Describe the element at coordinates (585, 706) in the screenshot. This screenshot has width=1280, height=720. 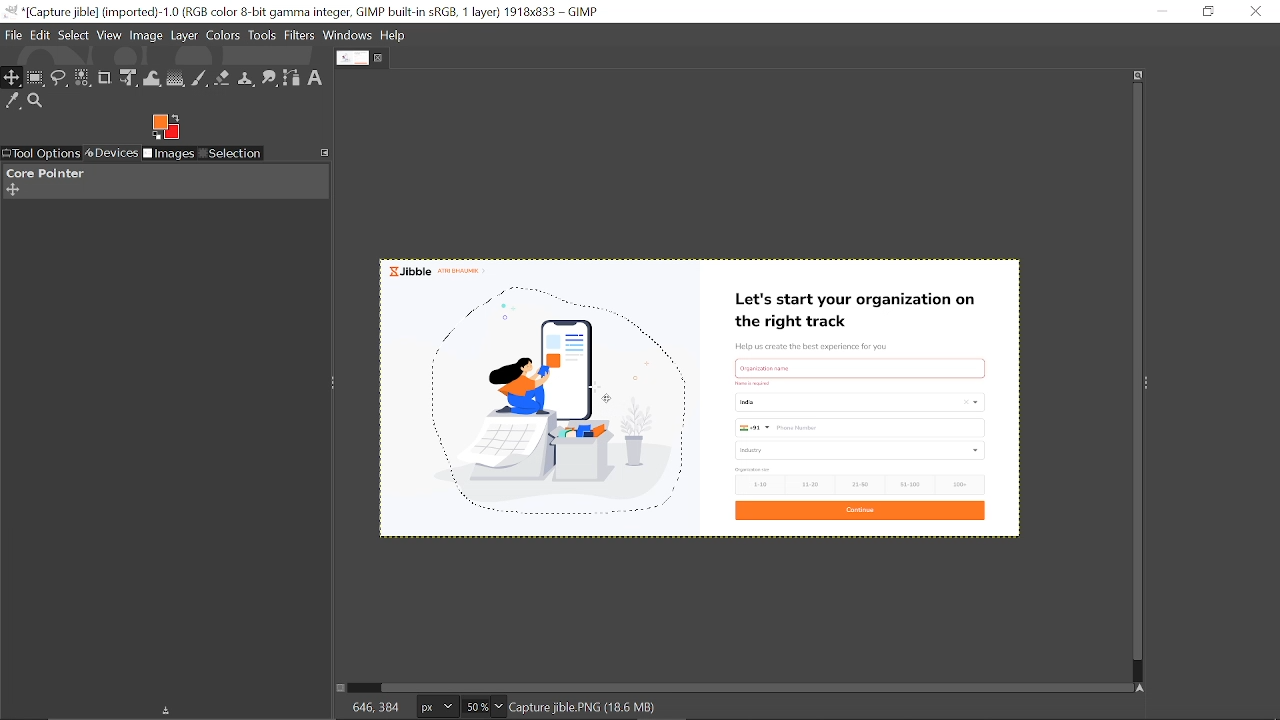
I see `Capture jble.PNG(18.6 MB` at that location.